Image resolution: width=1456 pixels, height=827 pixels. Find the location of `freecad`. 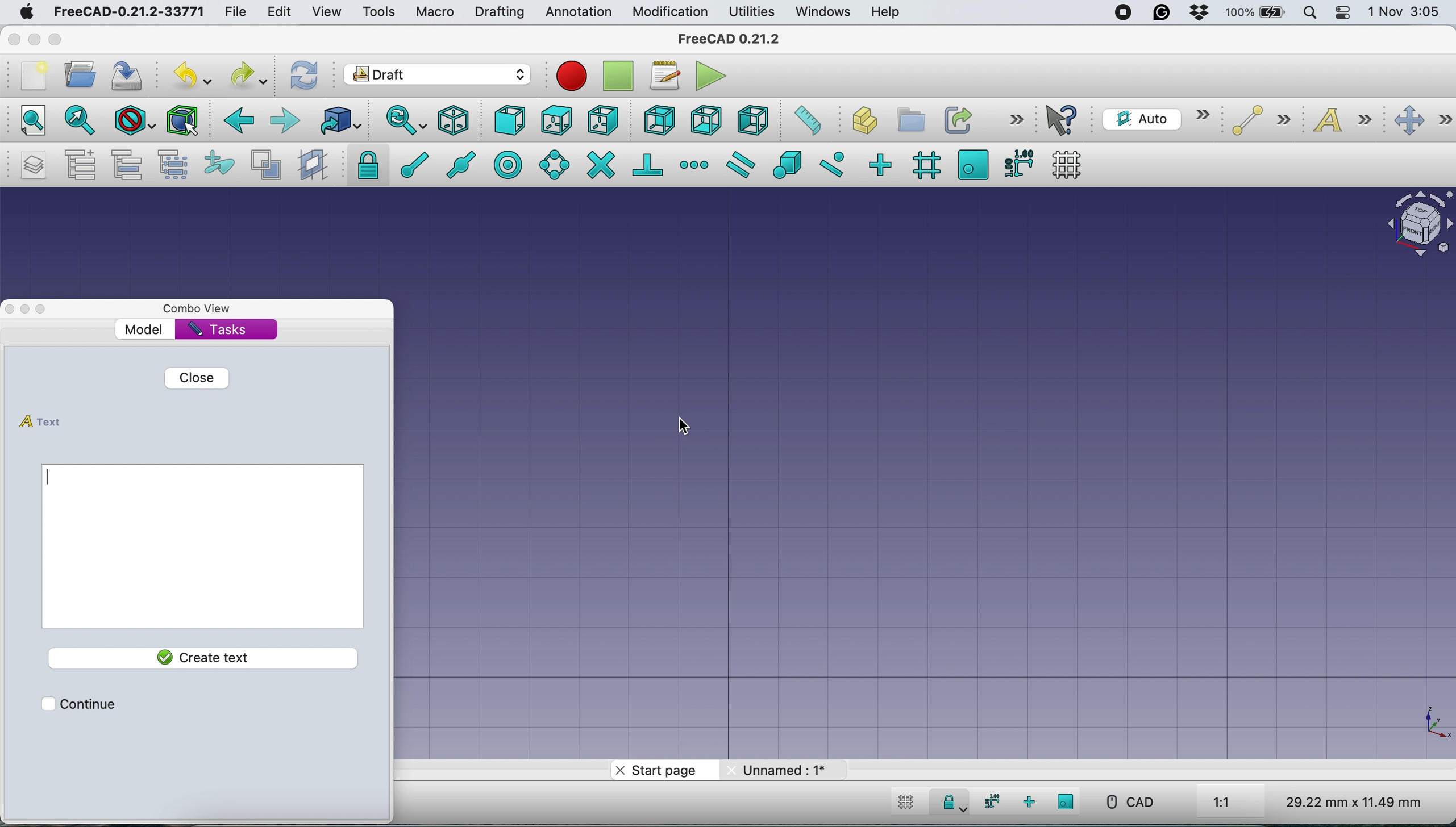

freecad is located at coordinates (126, 13).